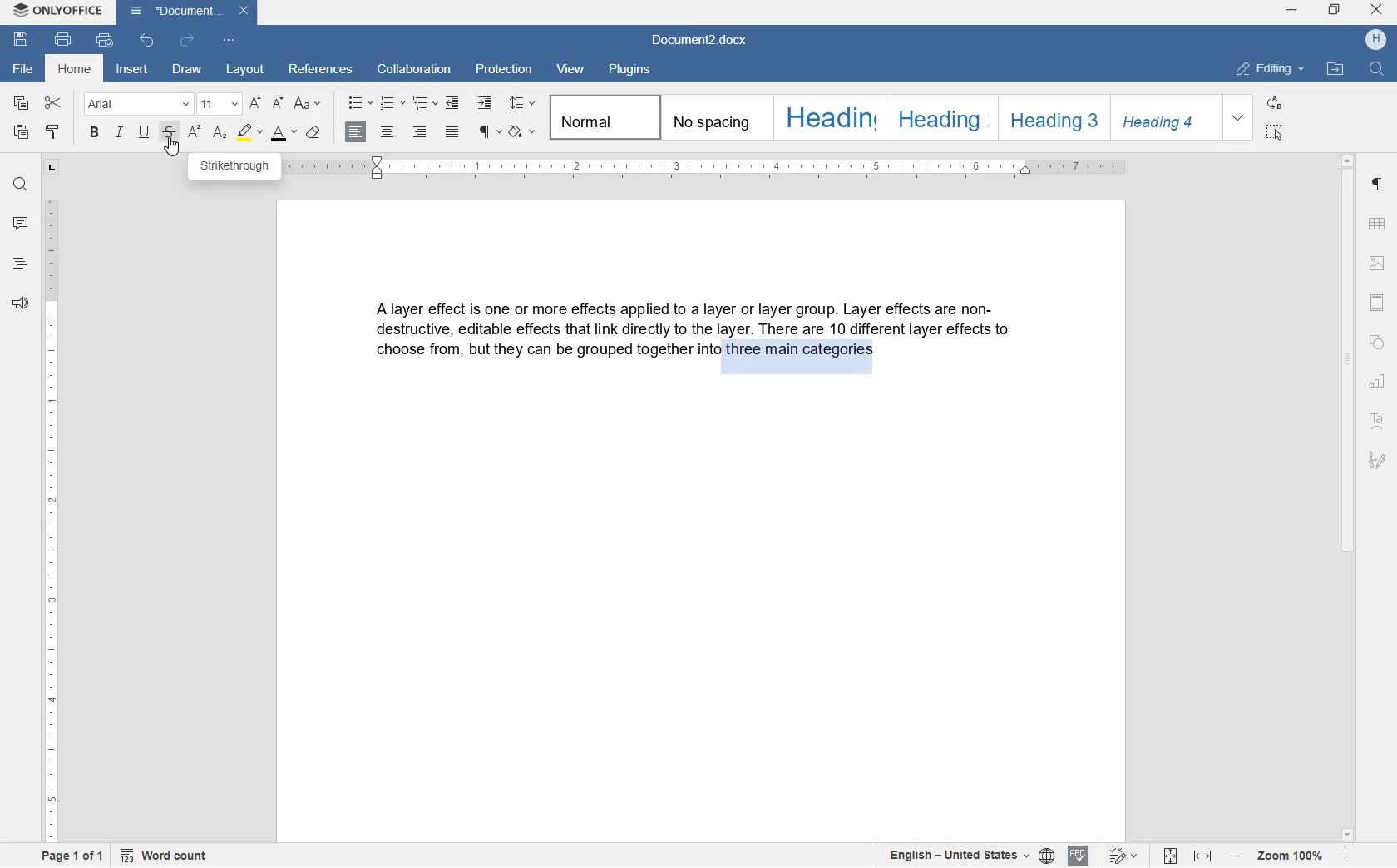  Describe the element at coordinates (313, 131) in the screenshot. I see `case style` at that location.